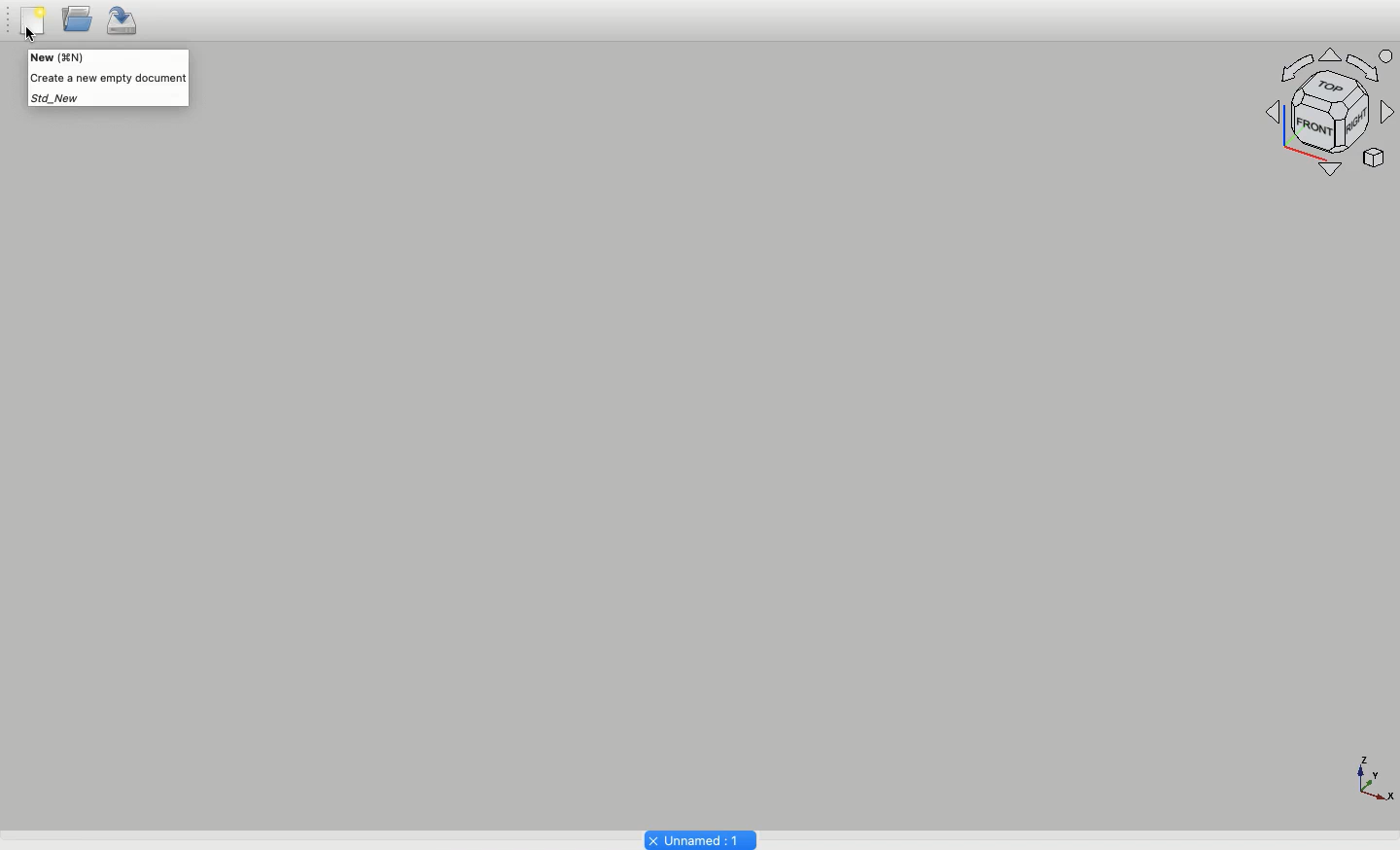 This screenshot has height=850, width=1400. What do you see at coordinates (107, 78) in the screenshot?
I see `Guide text` at bounding box center [107, 78].